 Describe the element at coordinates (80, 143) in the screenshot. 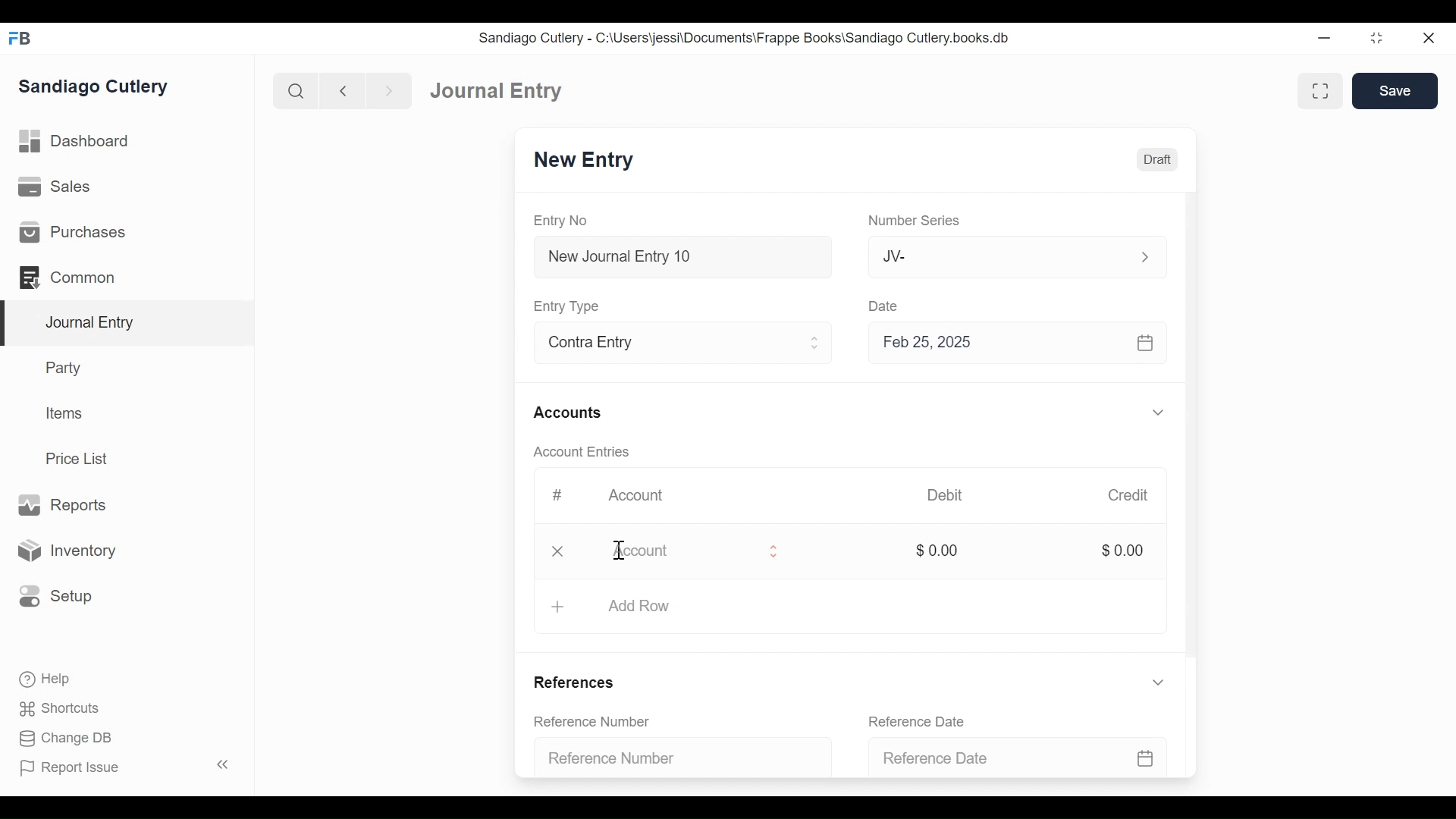

I see `Dashboard` at that location.